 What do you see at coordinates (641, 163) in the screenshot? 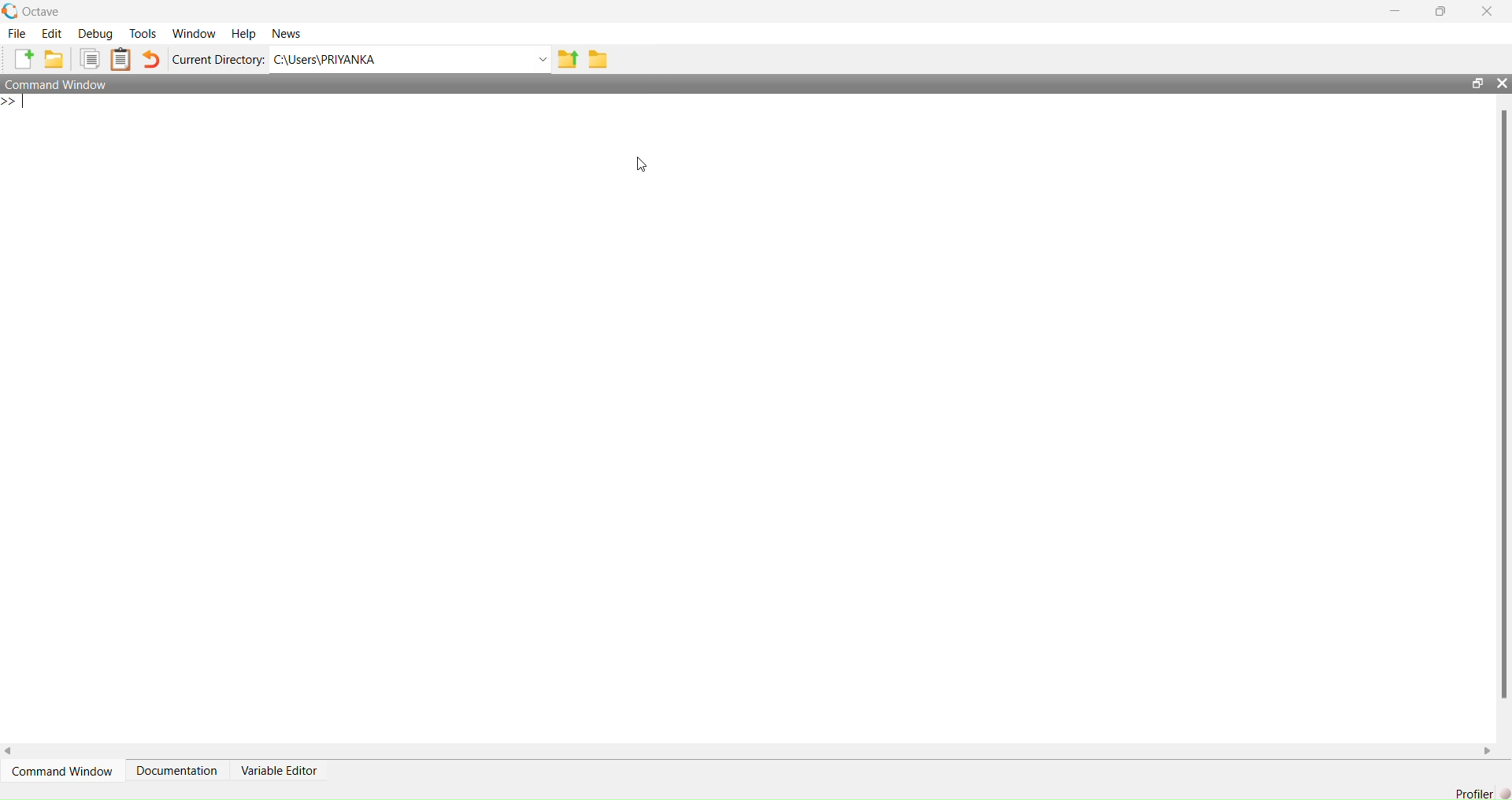
I see `cursor` at bounding box center [641, 163].